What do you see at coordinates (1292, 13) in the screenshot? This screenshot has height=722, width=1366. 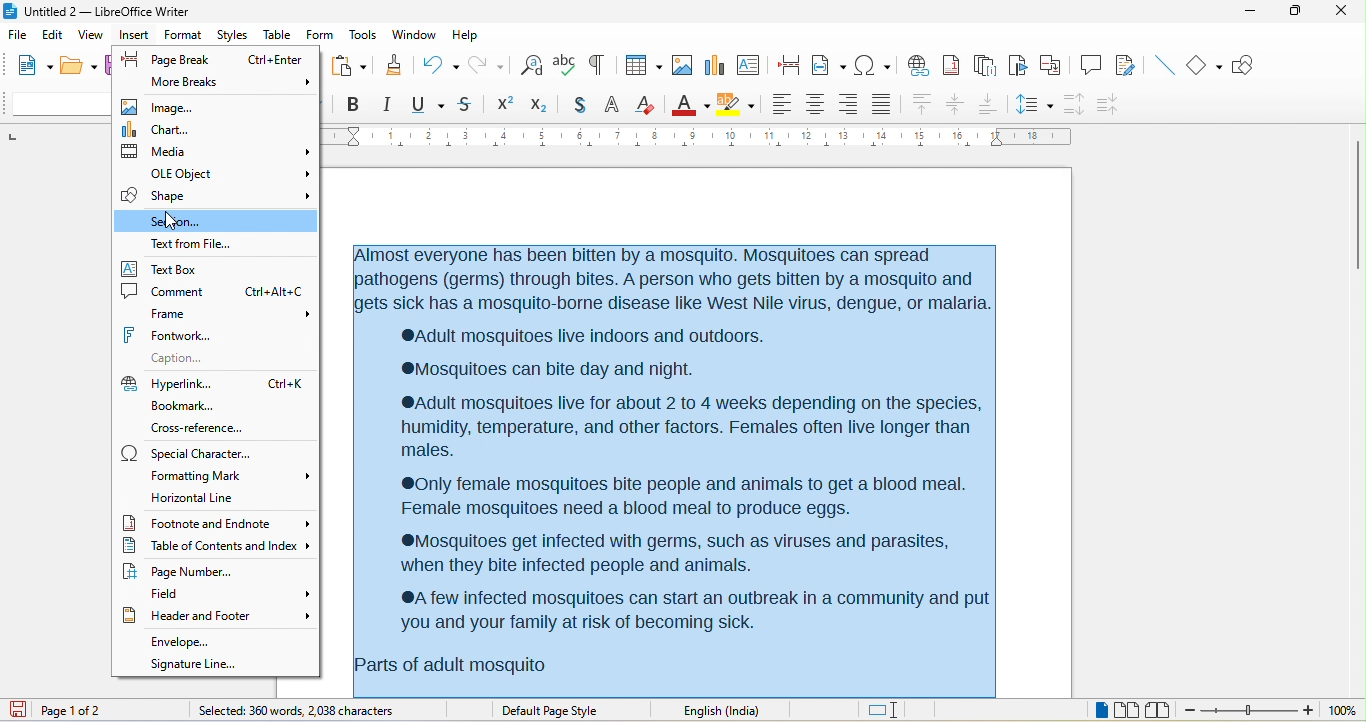 I see `maximize` at bounding box center [1292, 13].